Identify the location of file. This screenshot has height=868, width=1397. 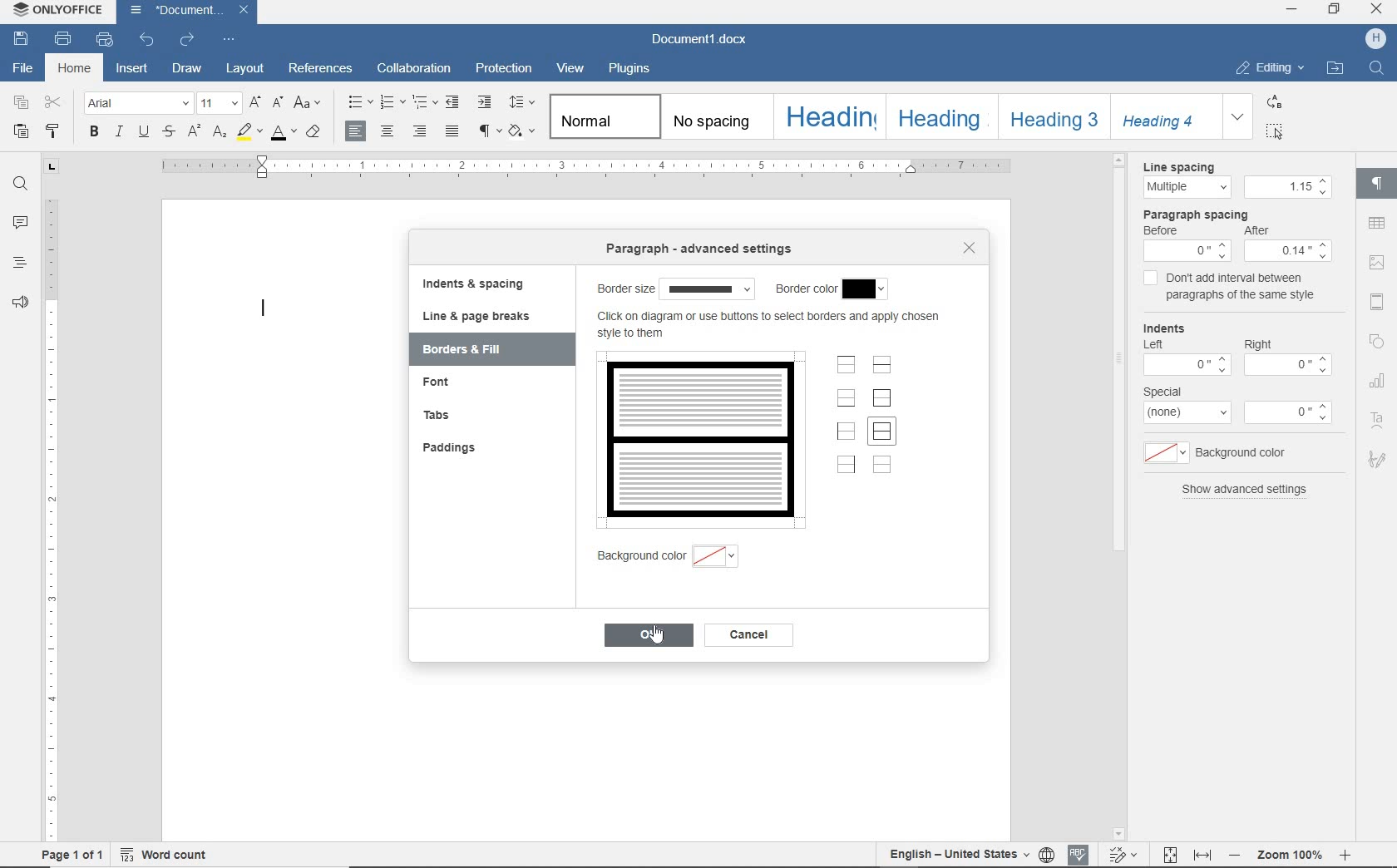
(22, 70).